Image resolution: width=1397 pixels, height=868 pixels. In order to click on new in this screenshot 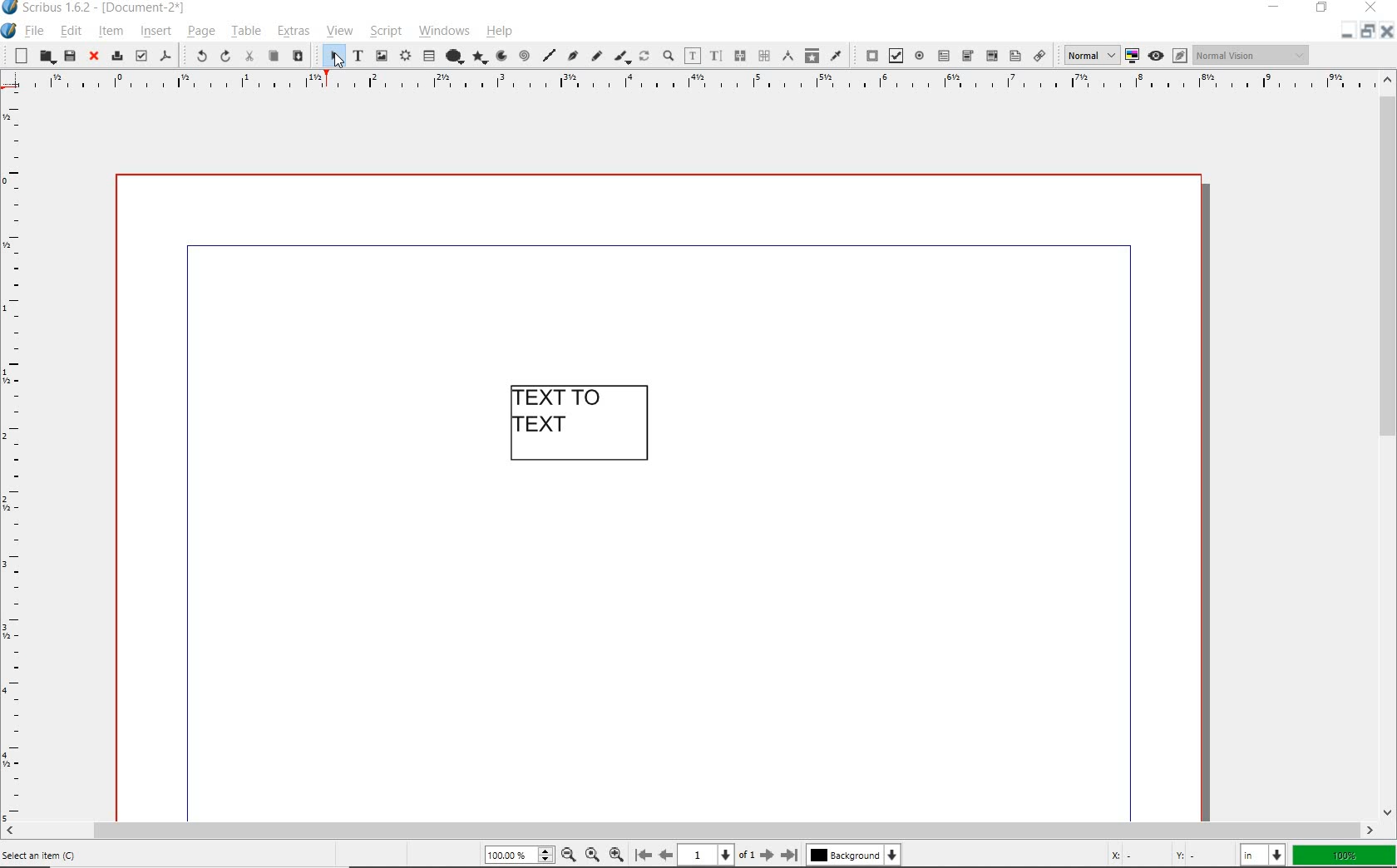, I will do `click(17, 56)`.